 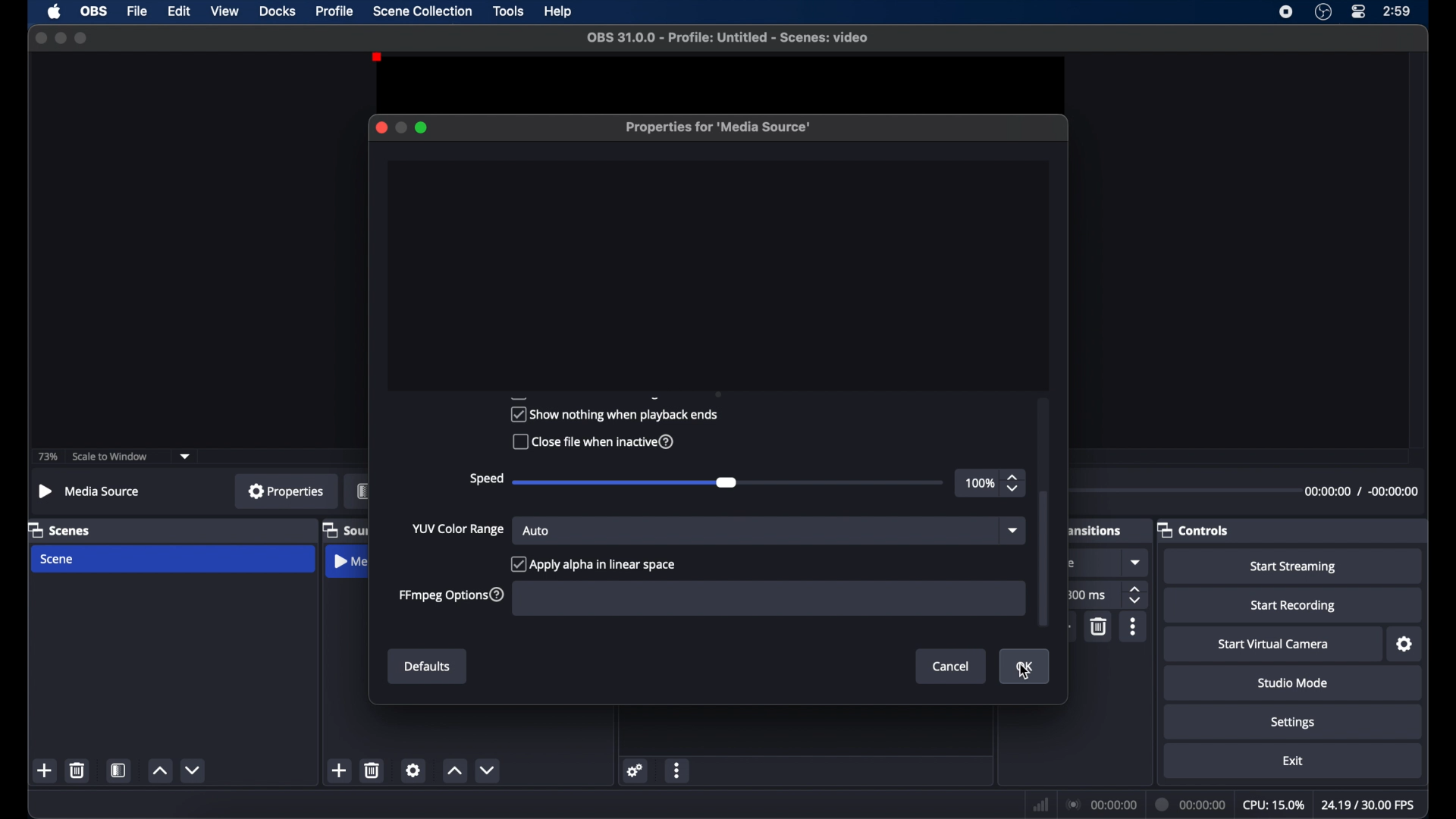 What do you see at coordinates (1291, 684) in the screenshot?
I see `studio mode` at bounding box center [1291, 684].